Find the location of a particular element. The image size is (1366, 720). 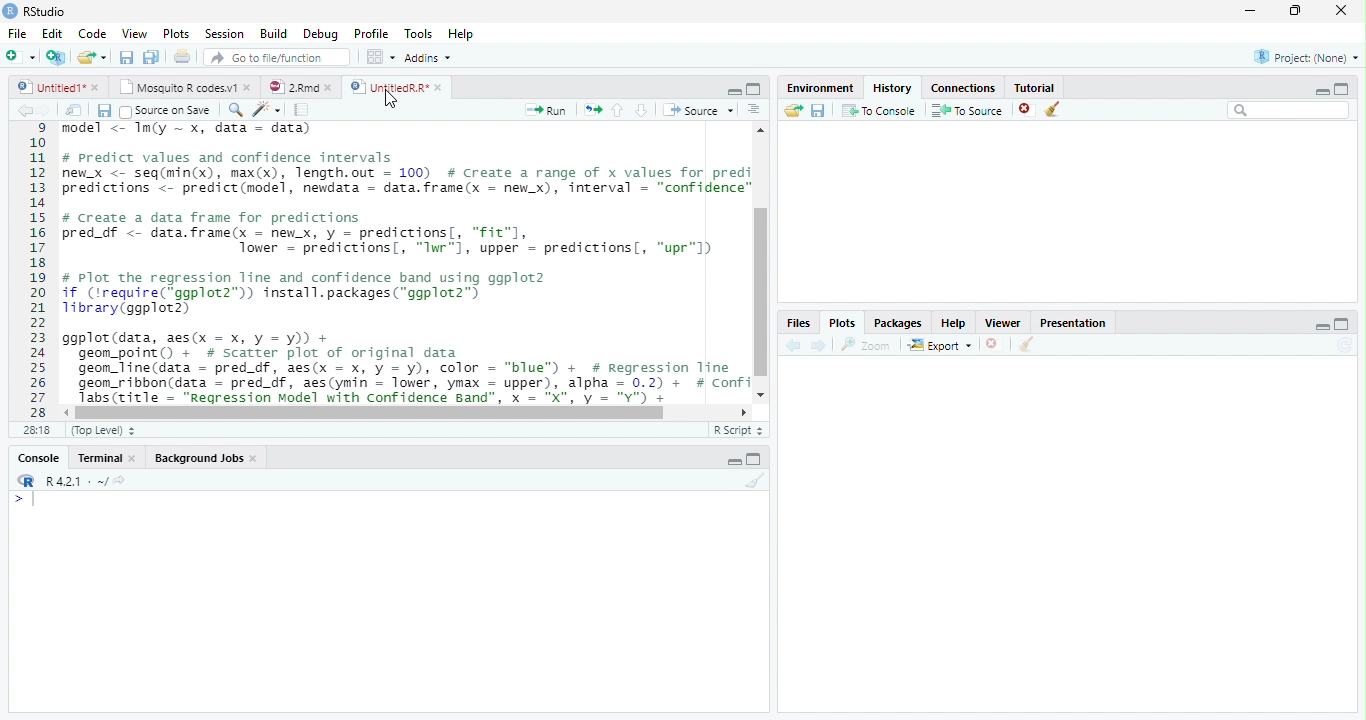

Clear conosole is located at coordinates (1029, 344).